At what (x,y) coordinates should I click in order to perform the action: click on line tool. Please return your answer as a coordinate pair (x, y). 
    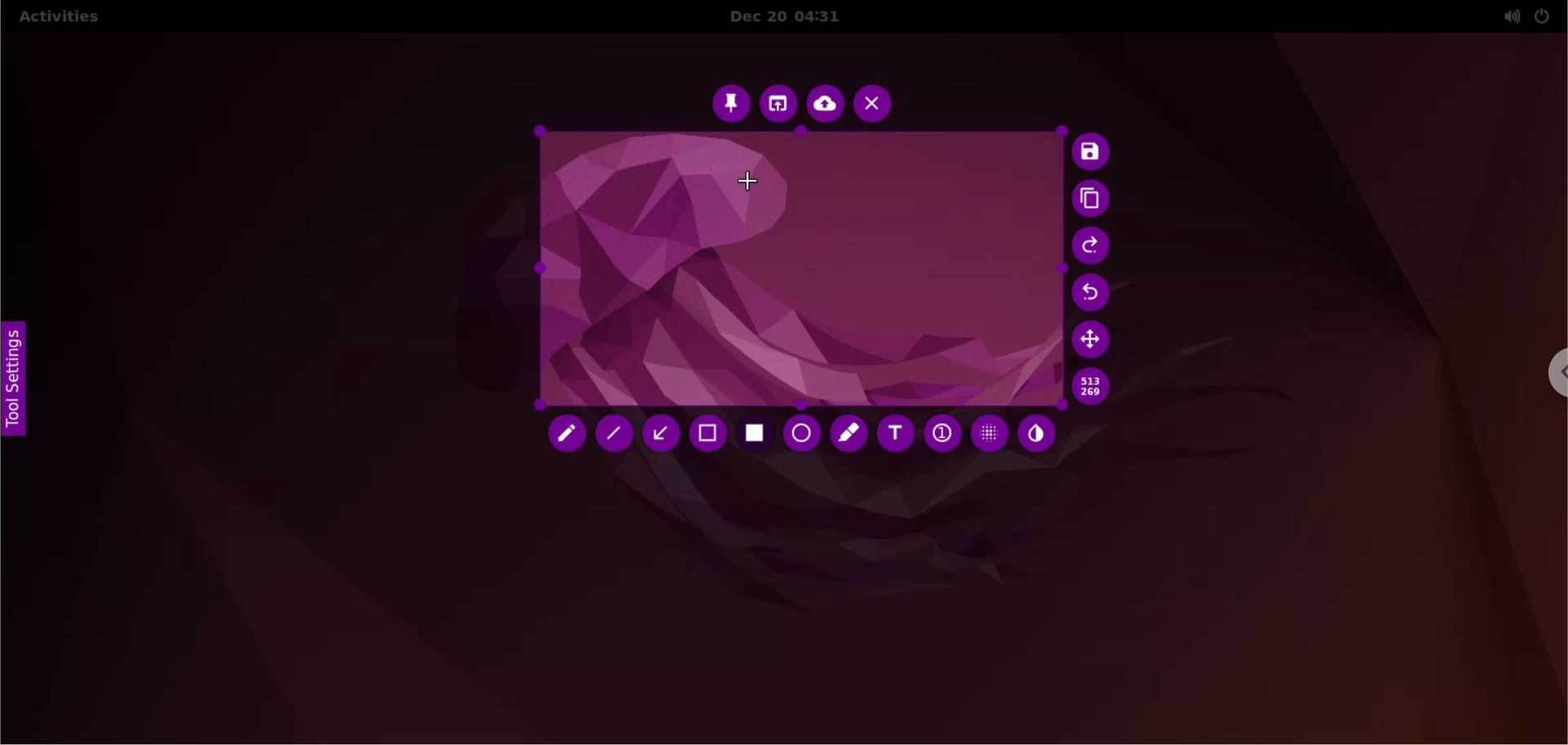
    Looking at the image, I should click on (614, 433).